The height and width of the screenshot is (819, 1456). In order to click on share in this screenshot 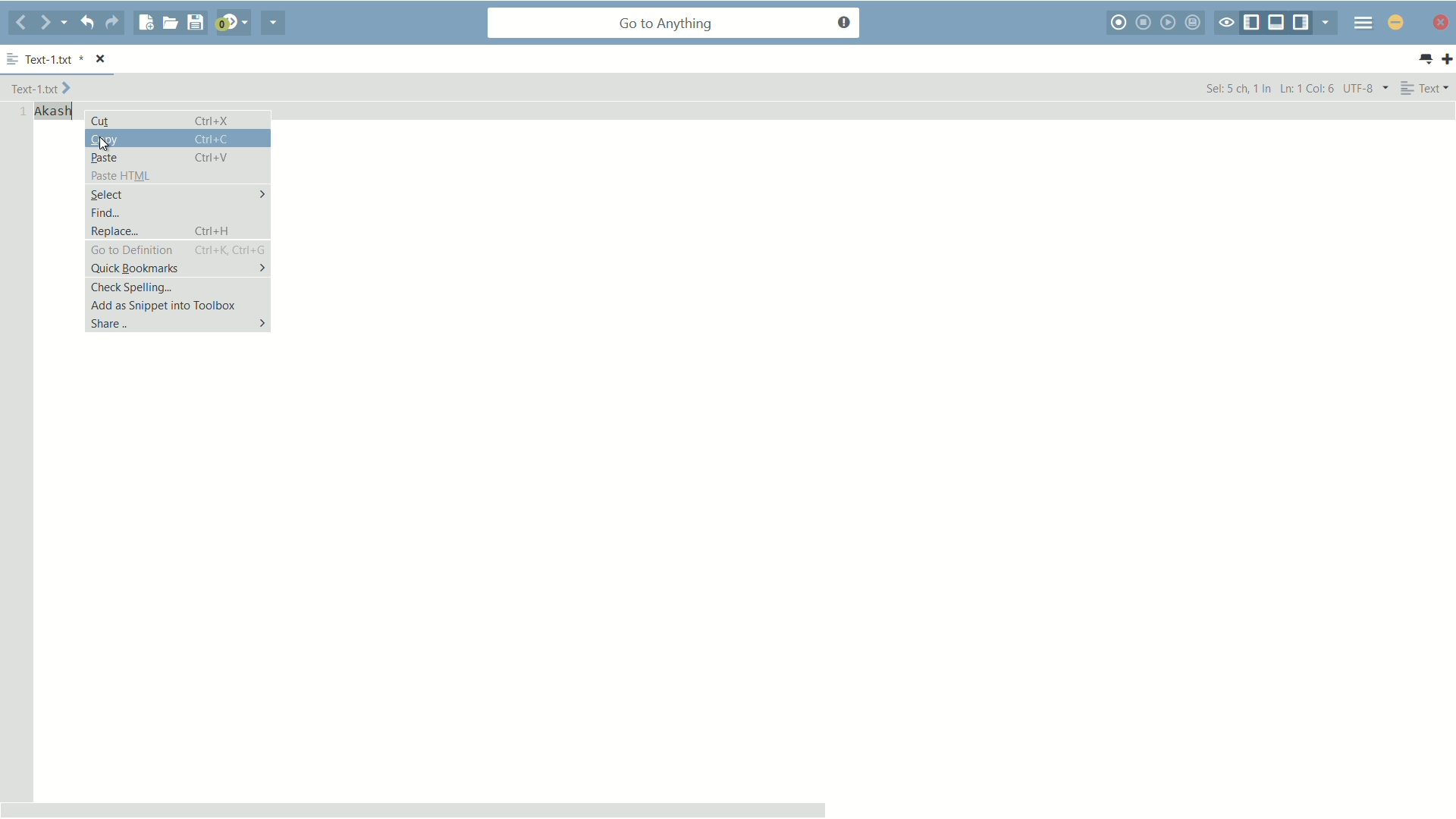, I will do `click(176, 323)`.